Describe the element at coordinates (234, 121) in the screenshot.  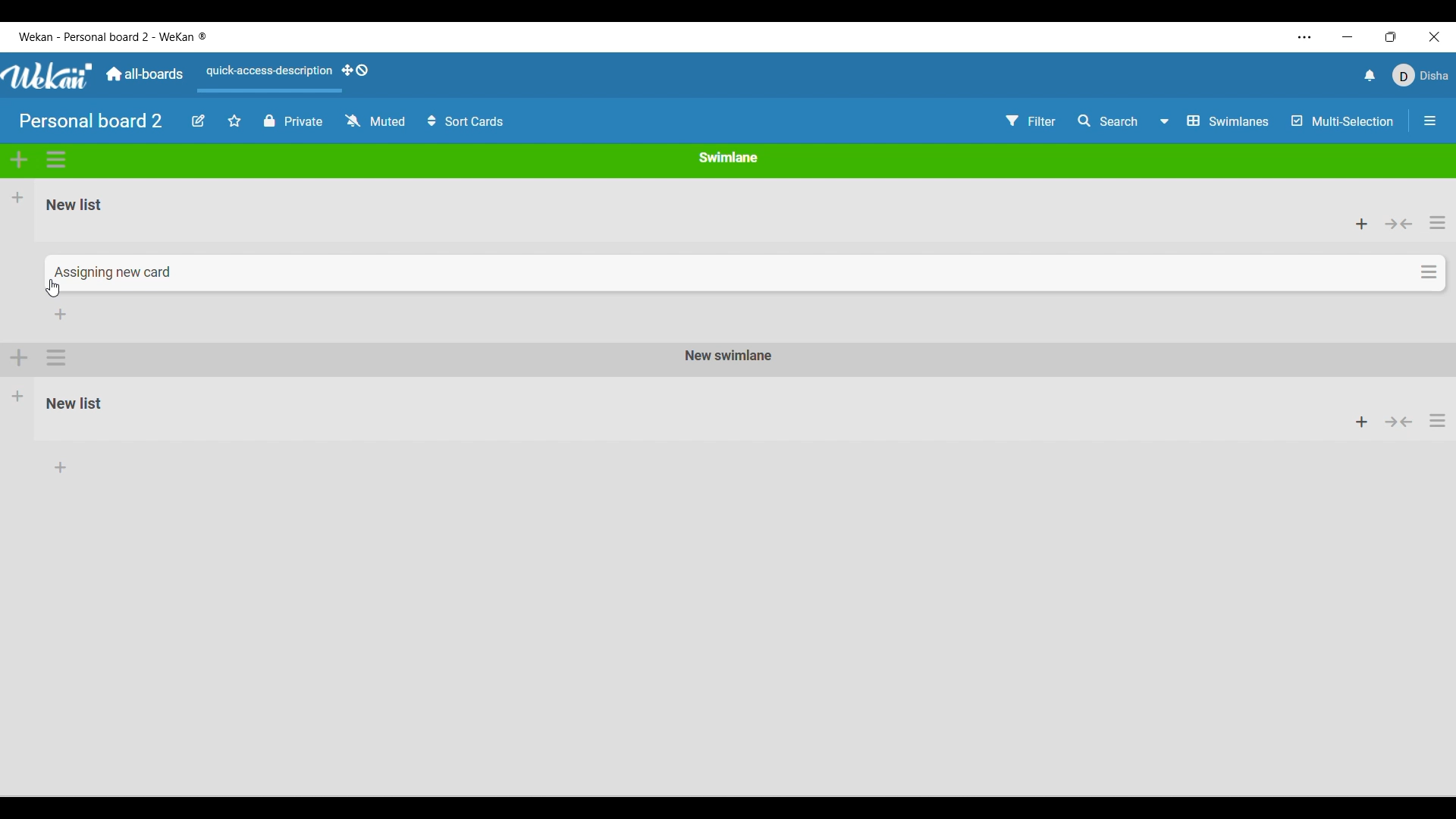
I see `Star board` at that location.